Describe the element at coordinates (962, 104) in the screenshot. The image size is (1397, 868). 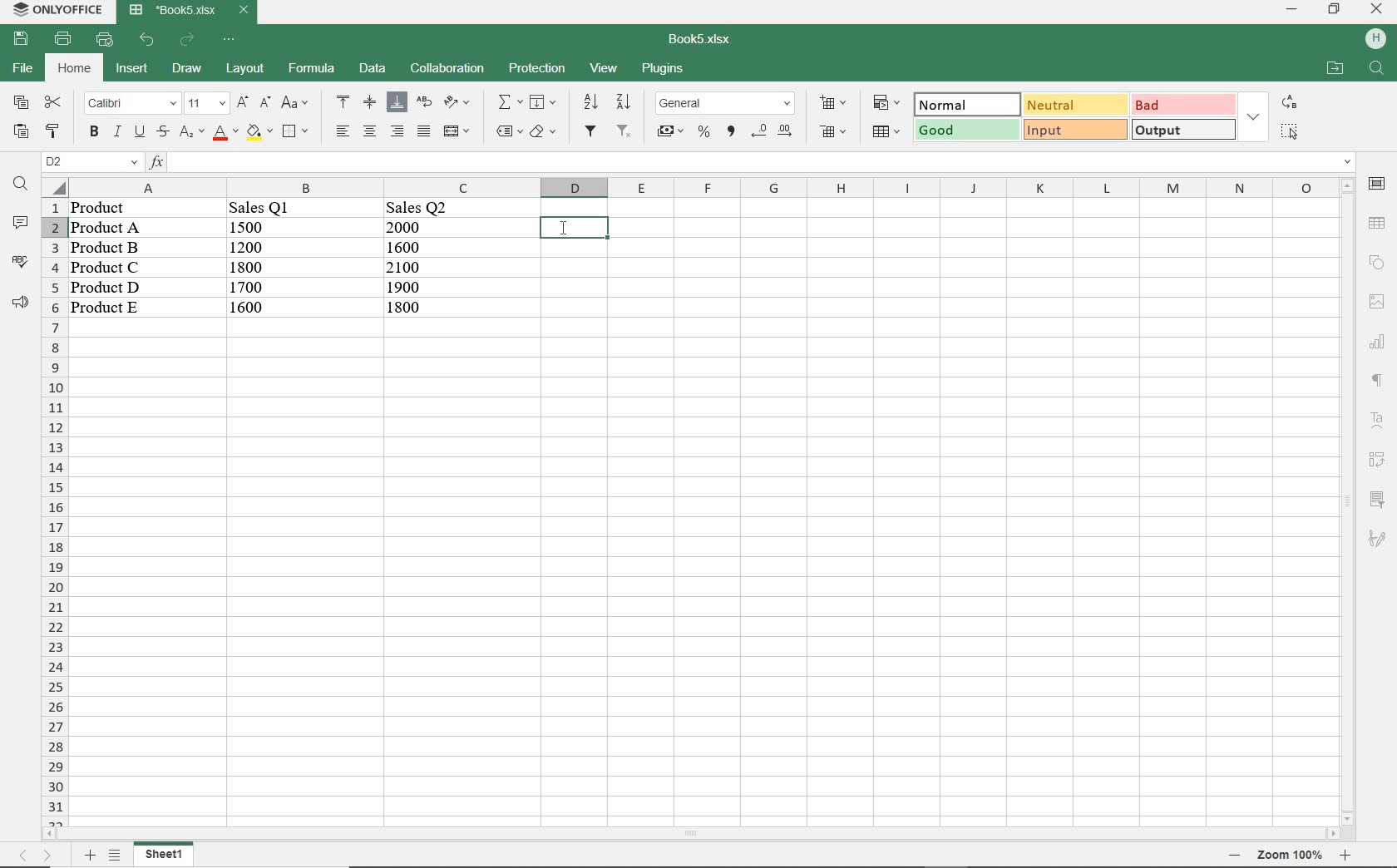
I see `normal` at that location.